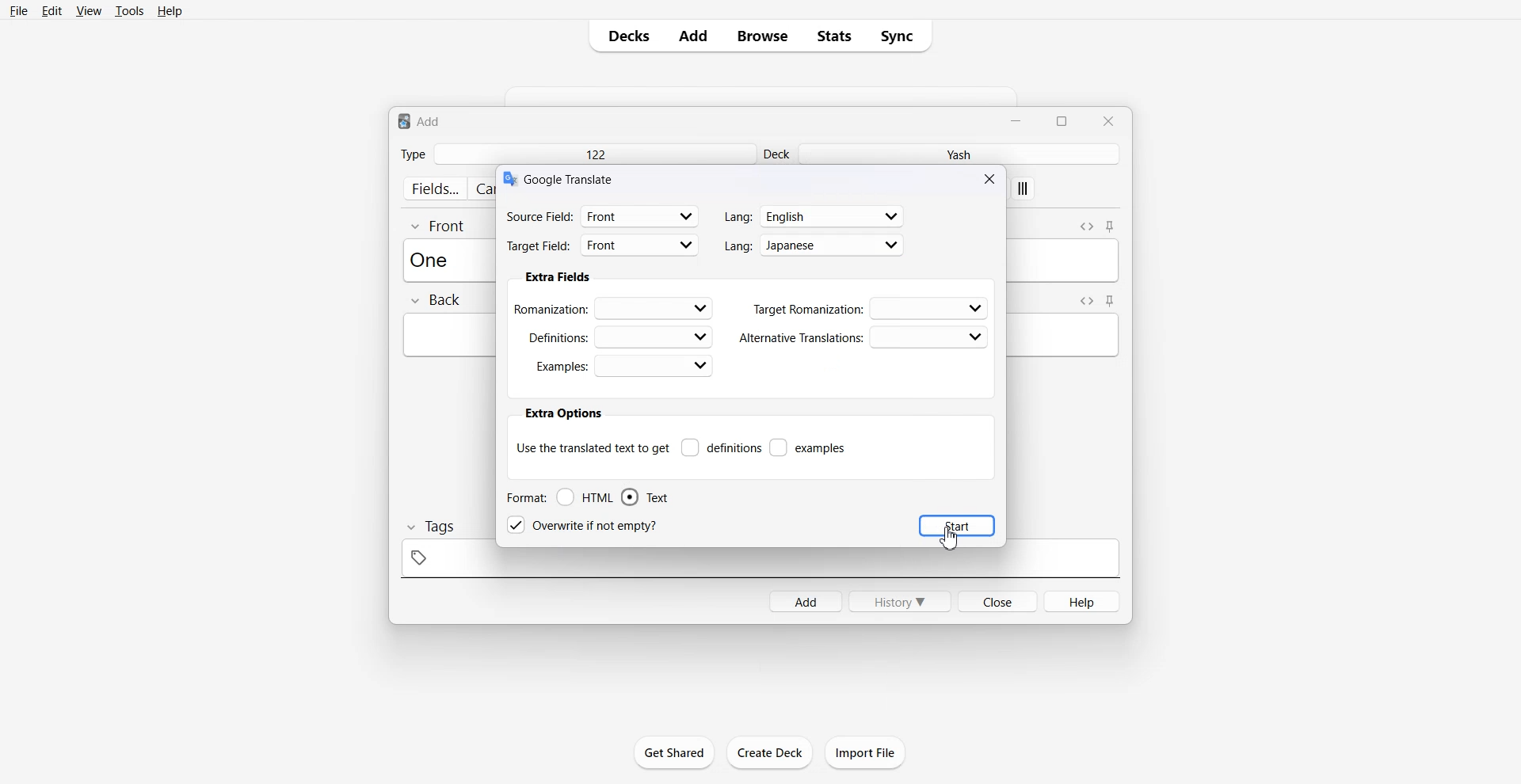 This screenshot has width=1521, height=784. I want to click on examples, so click(809, 447).